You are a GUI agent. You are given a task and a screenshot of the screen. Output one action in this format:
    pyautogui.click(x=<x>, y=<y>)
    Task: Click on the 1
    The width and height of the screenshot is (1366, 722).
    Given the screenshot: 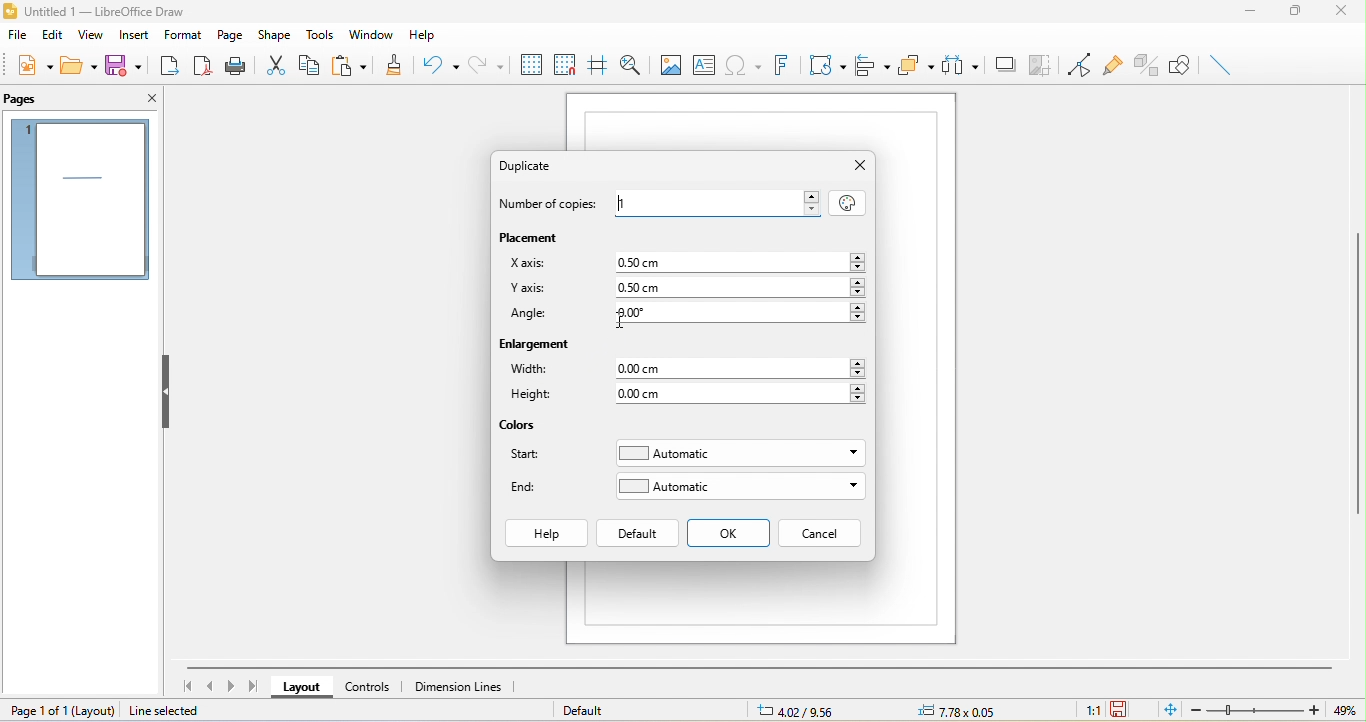 What is the action you would take?
    pyautogui.click(x=718, y=201)
    